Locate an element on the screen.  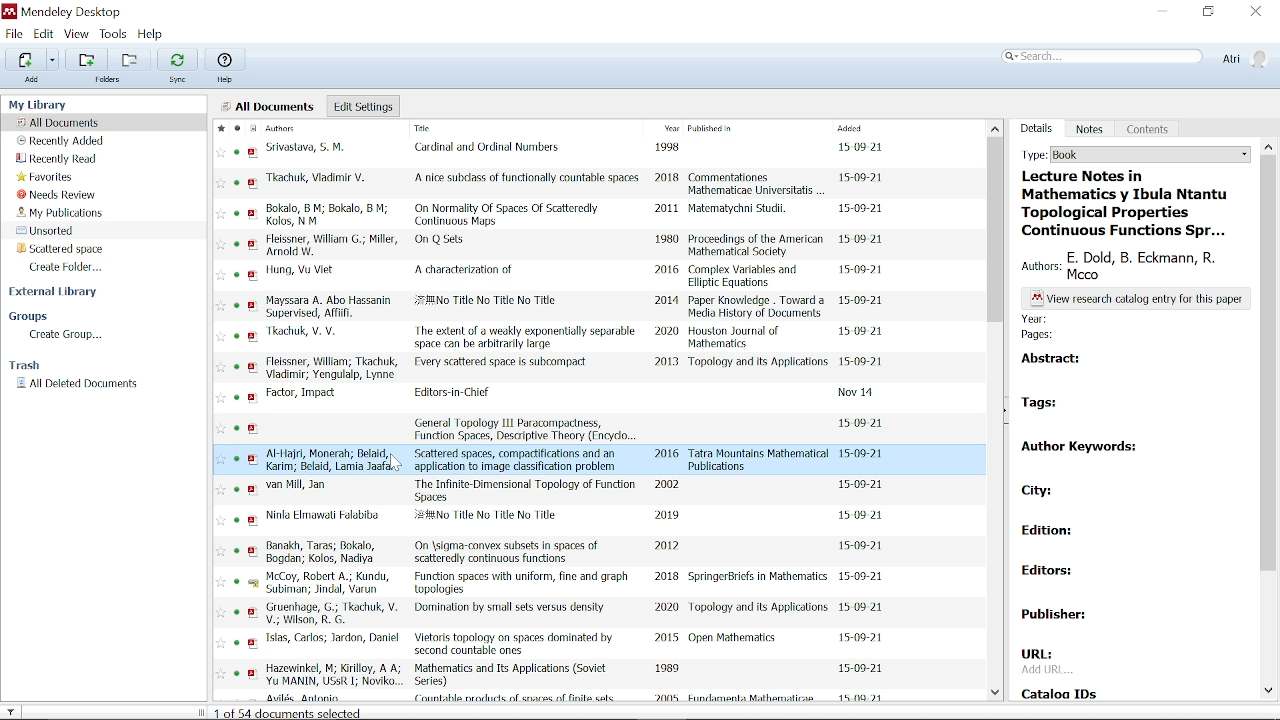
Contents is located at coordinates (1149, 128).